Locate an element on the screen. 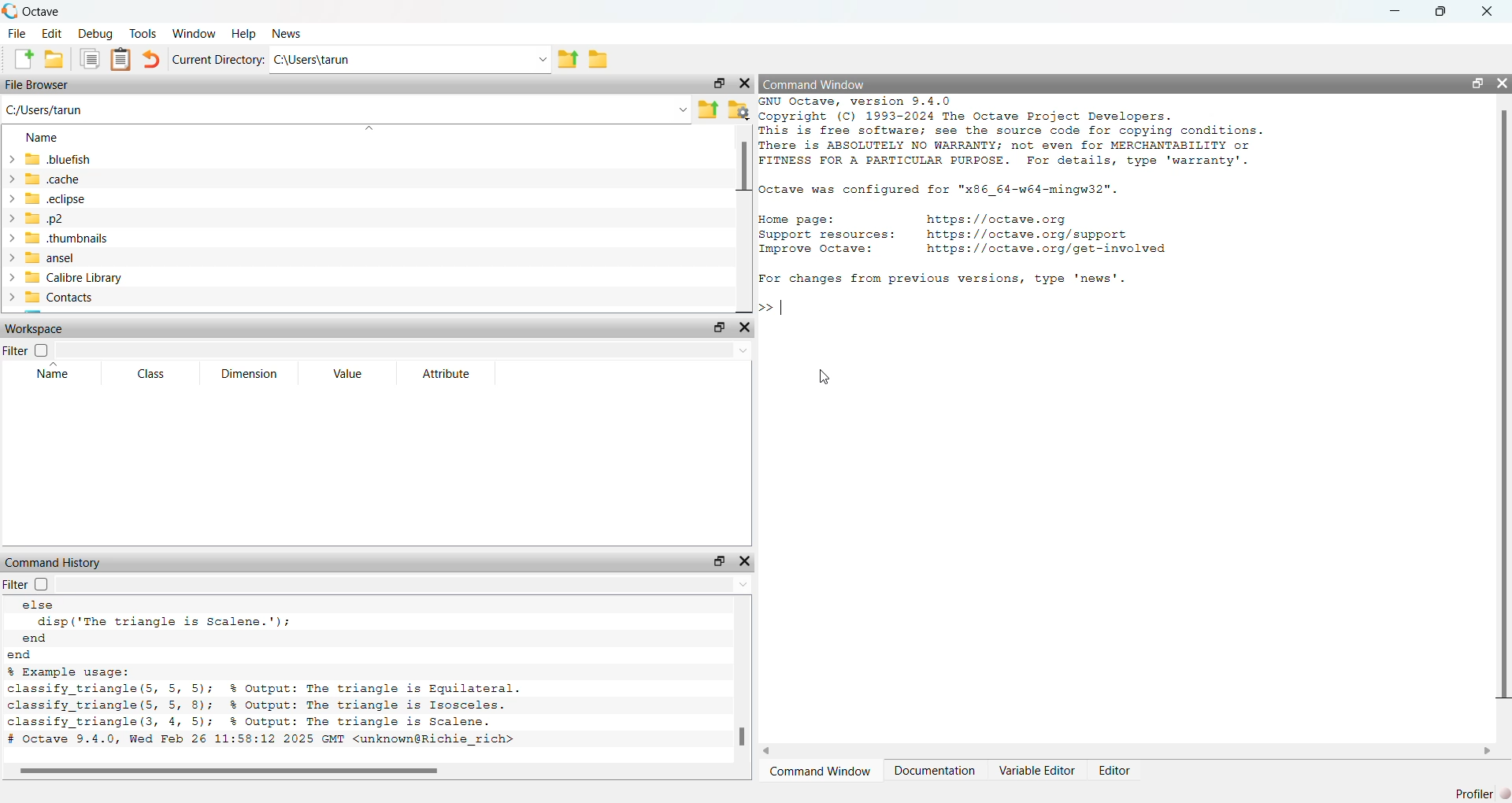  unlock widget is located at coordinates (717, 82).